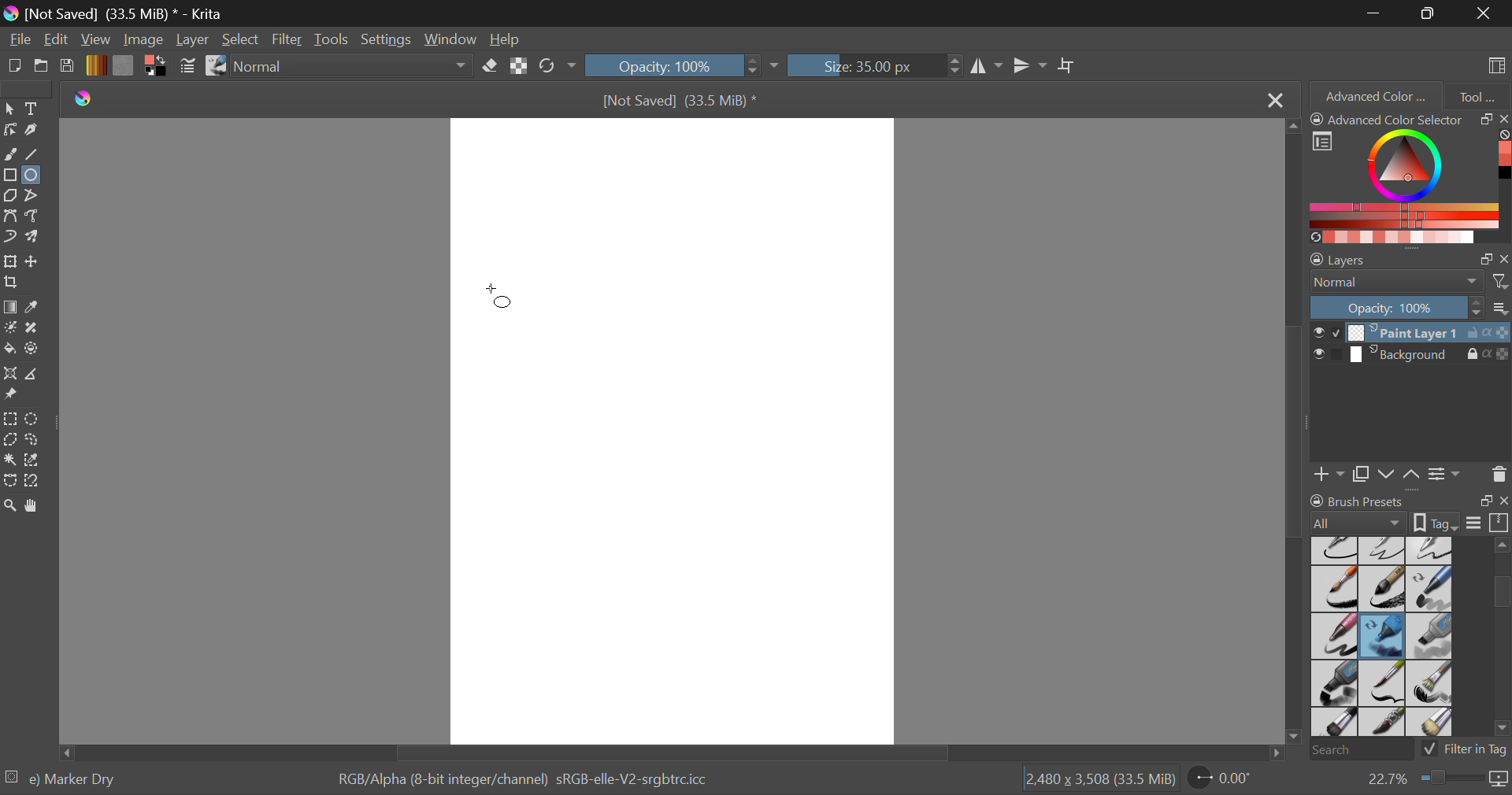 The width and height of the screenshot is (1512, 795). What do you see at coordinates (1477, 94) in the screenshot?
I see `Tool` at bounding box center [1477, 94].